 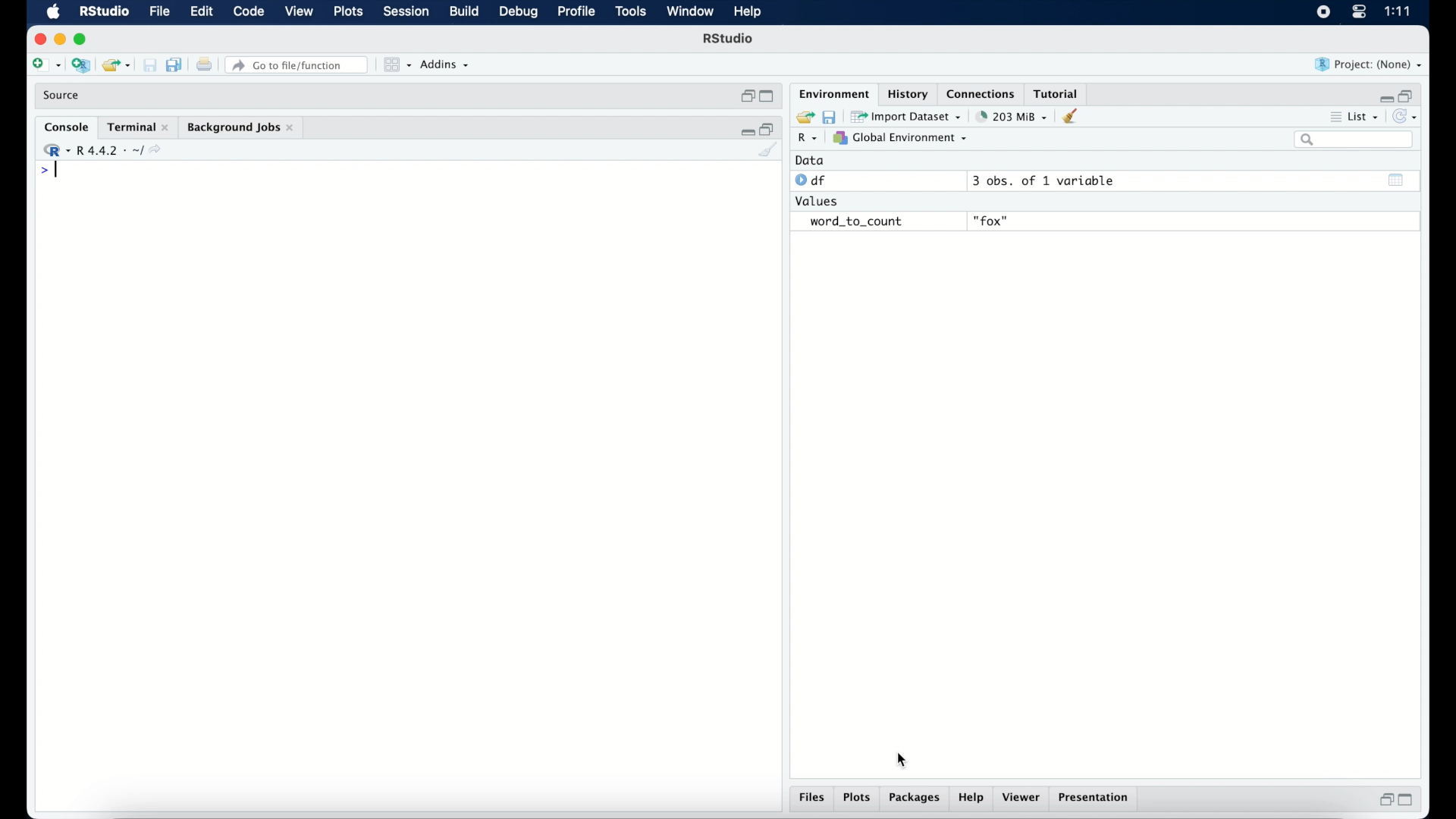 What do you see at coordinates (1384, 98) in the screenshot?
I see `minimize` at bounding box center [1384, 98].